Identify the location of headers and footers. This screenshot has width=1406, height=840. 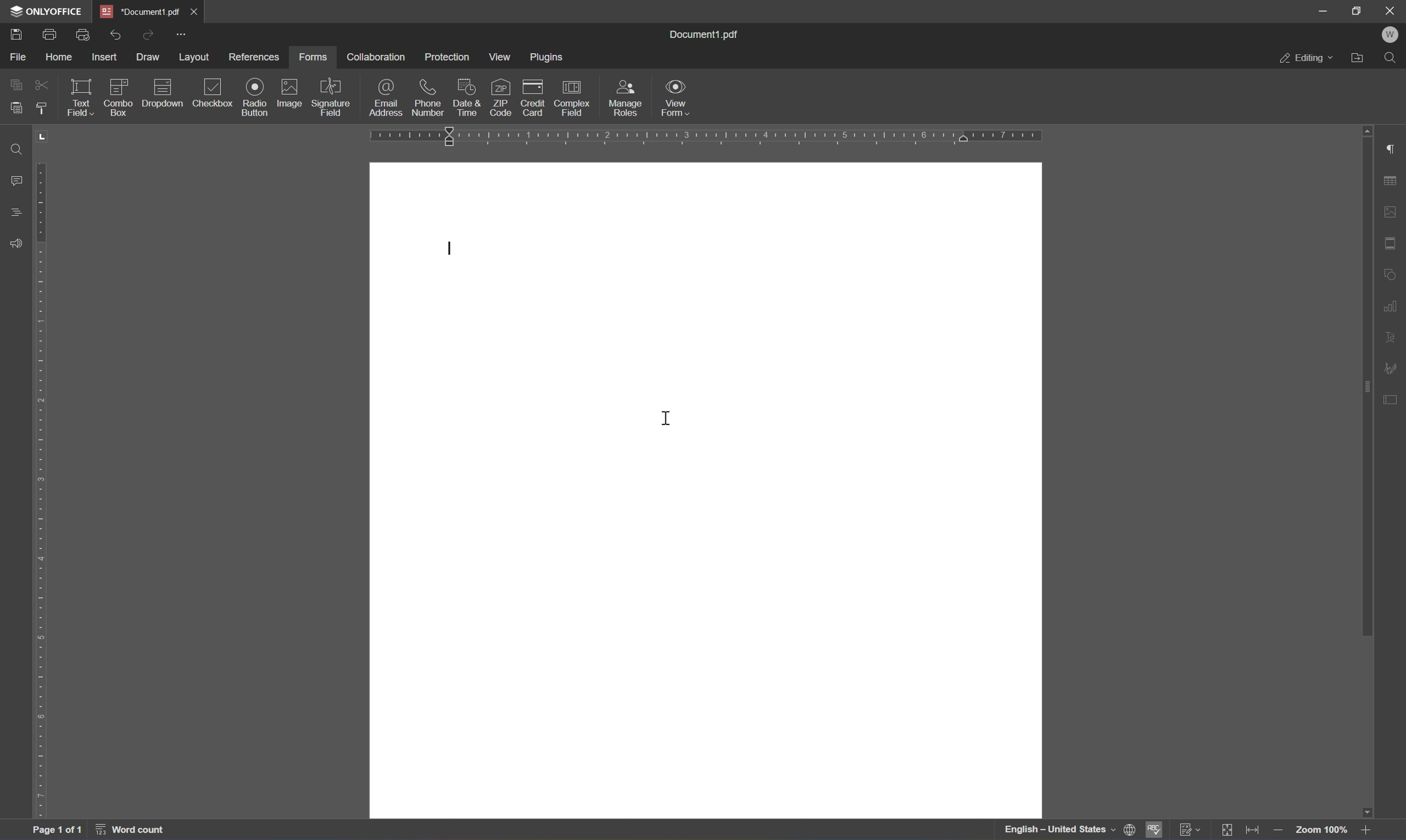
(1393, 239).